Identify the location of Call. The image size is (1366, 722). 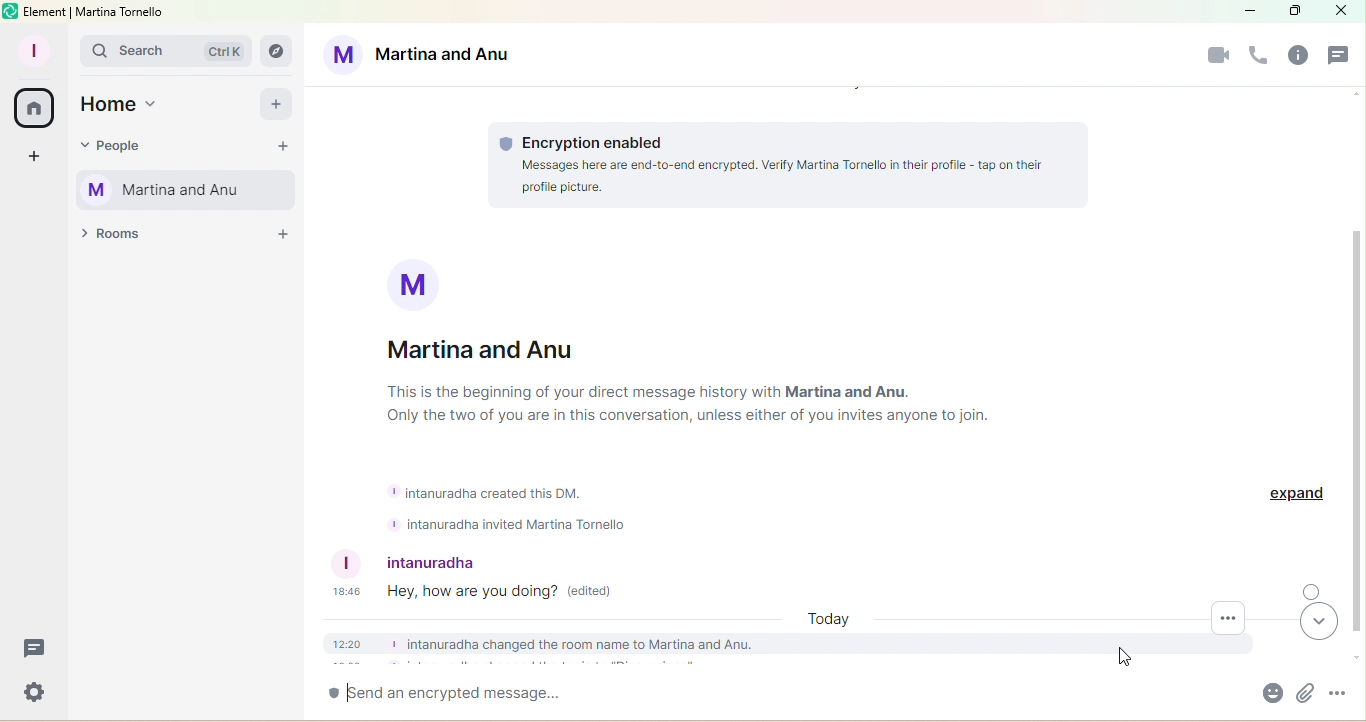
(1260, 56).